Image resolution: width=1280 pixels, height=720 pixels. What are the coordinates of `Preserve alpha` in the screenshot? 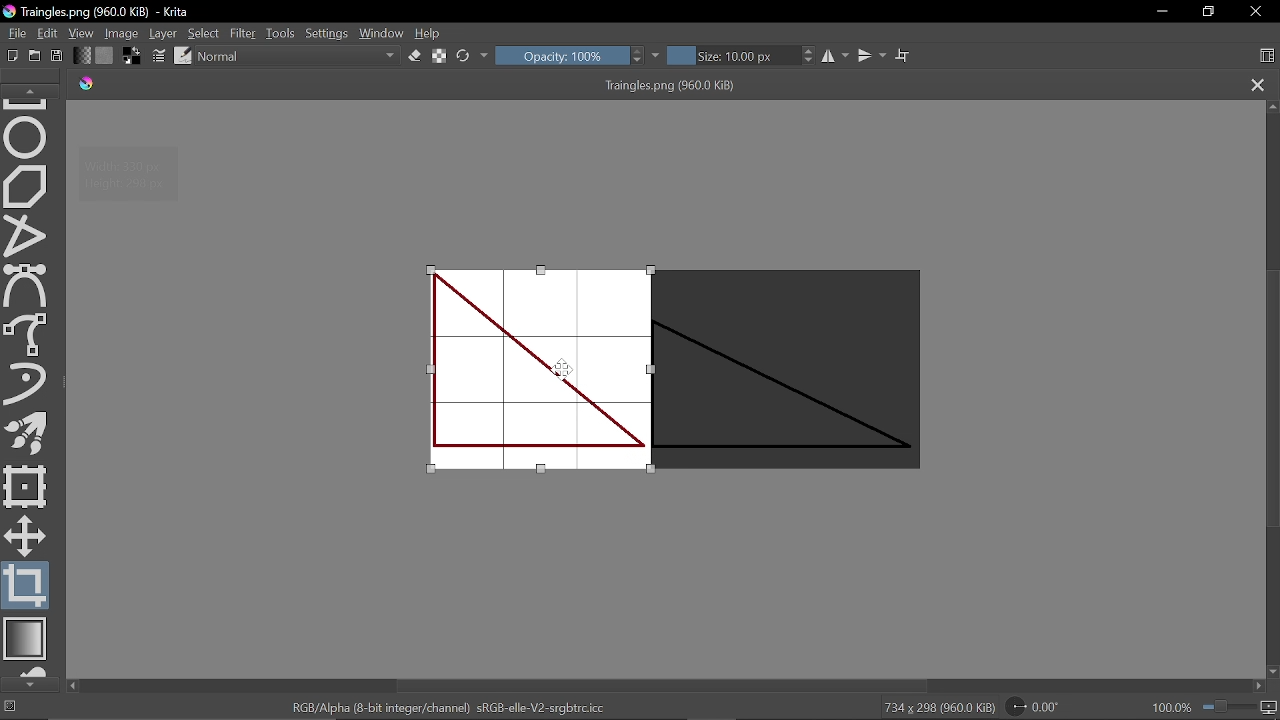 It's located at (439, 57).